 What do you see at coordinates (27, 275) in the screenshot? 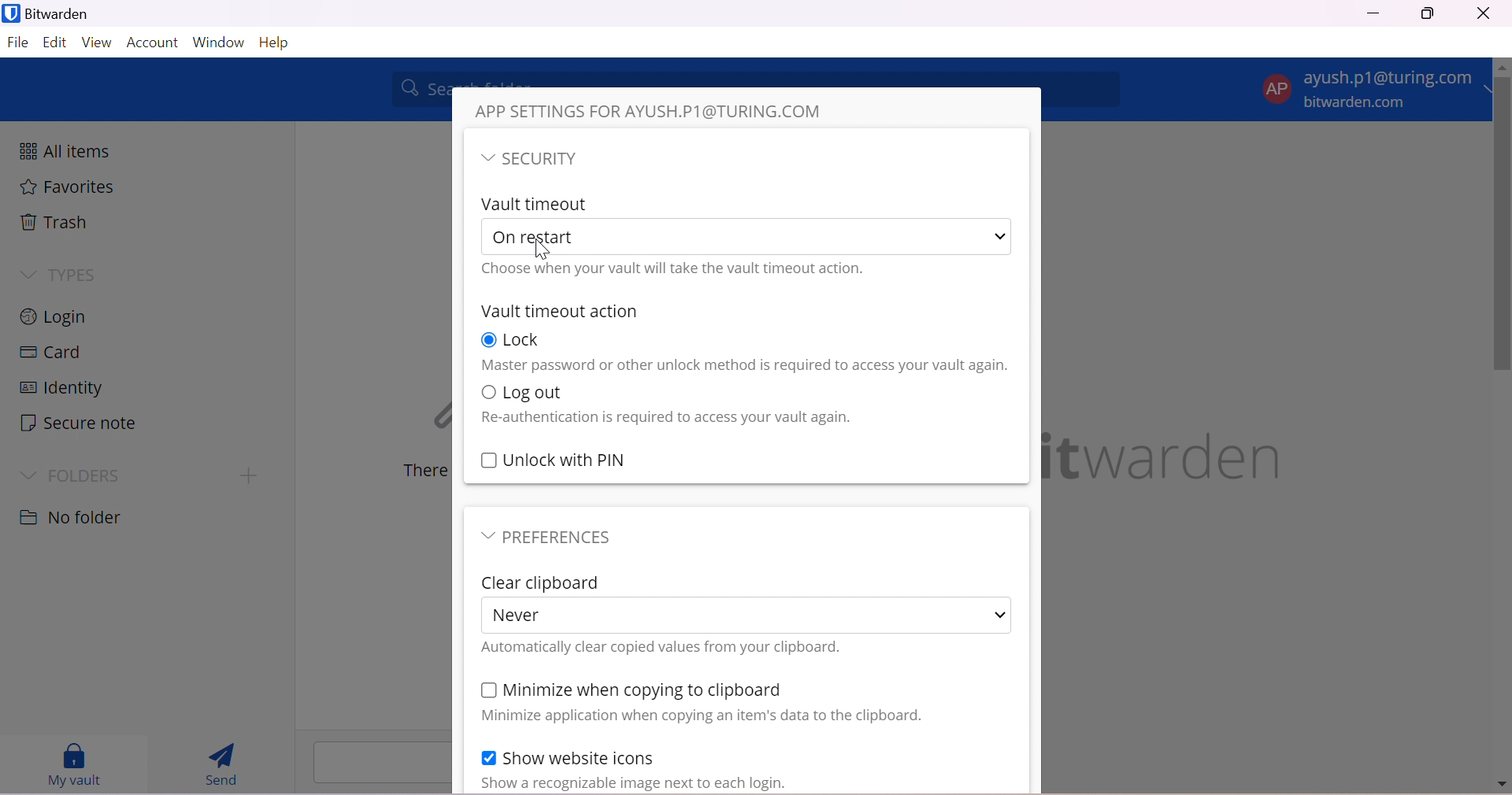
I see `Drop Down` at bounding box center [27, 275].